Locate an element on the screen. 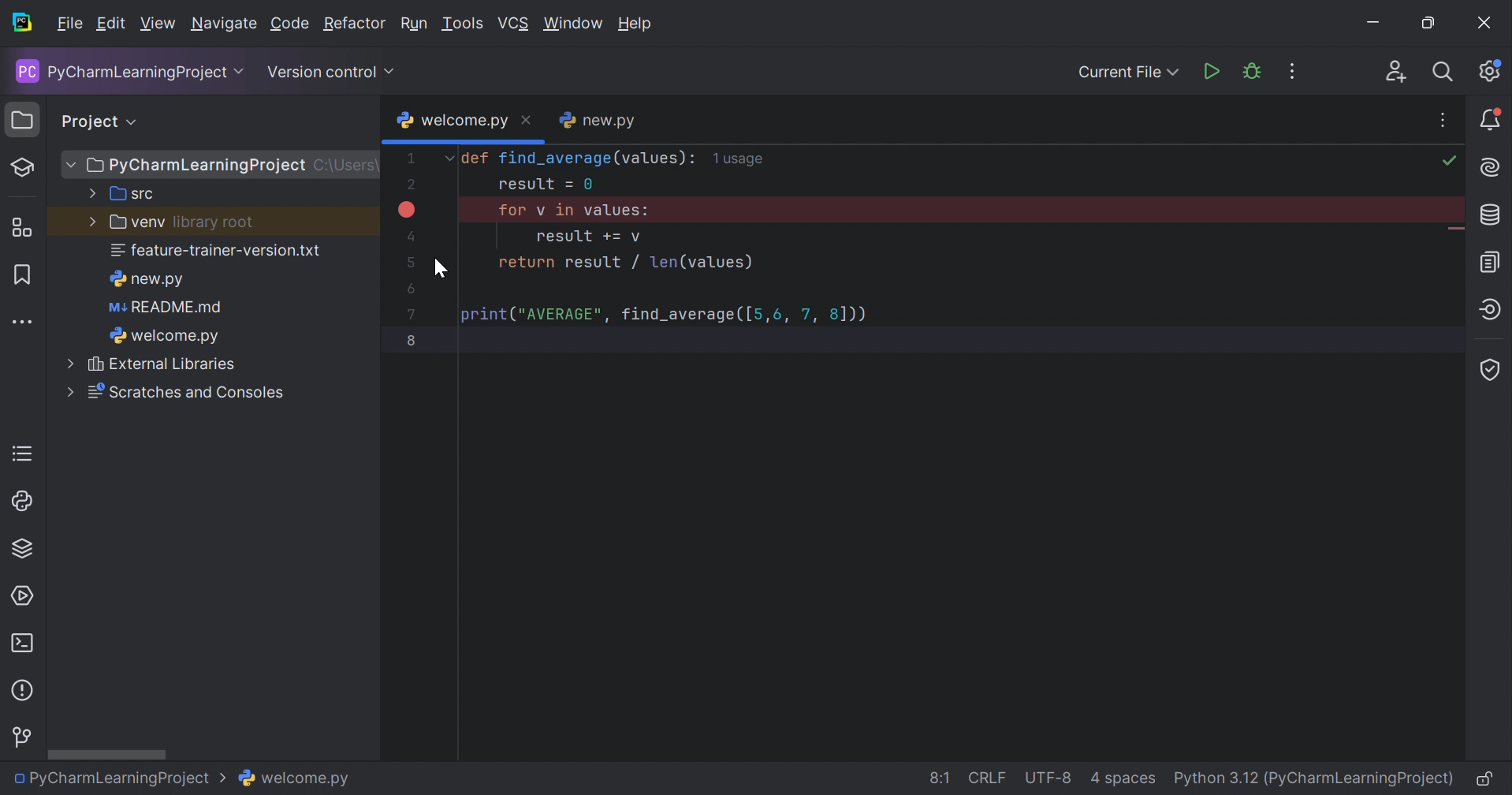 The height and width of the screenshot is (795, 1512). Endpoints is located at coordinates (1493, 310).